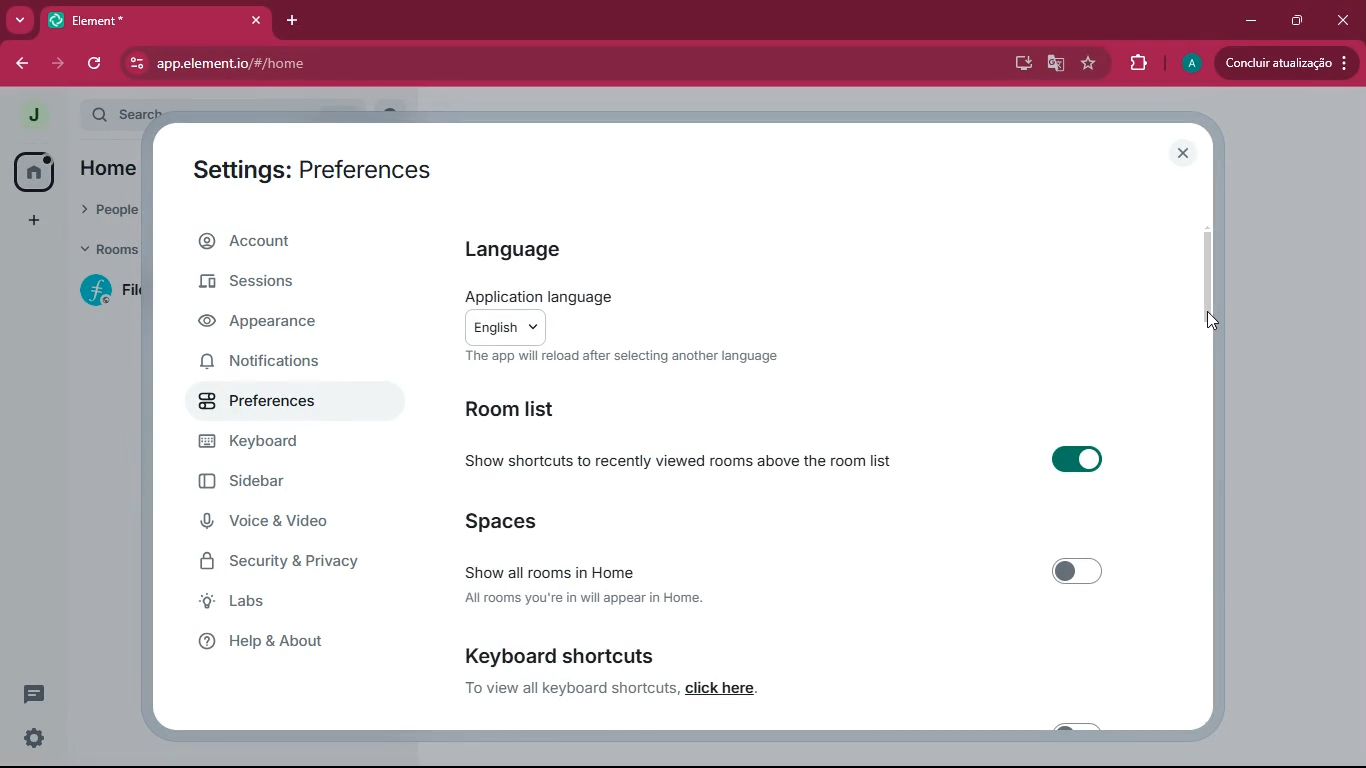  I want to click on appearance, so click(274, 323).